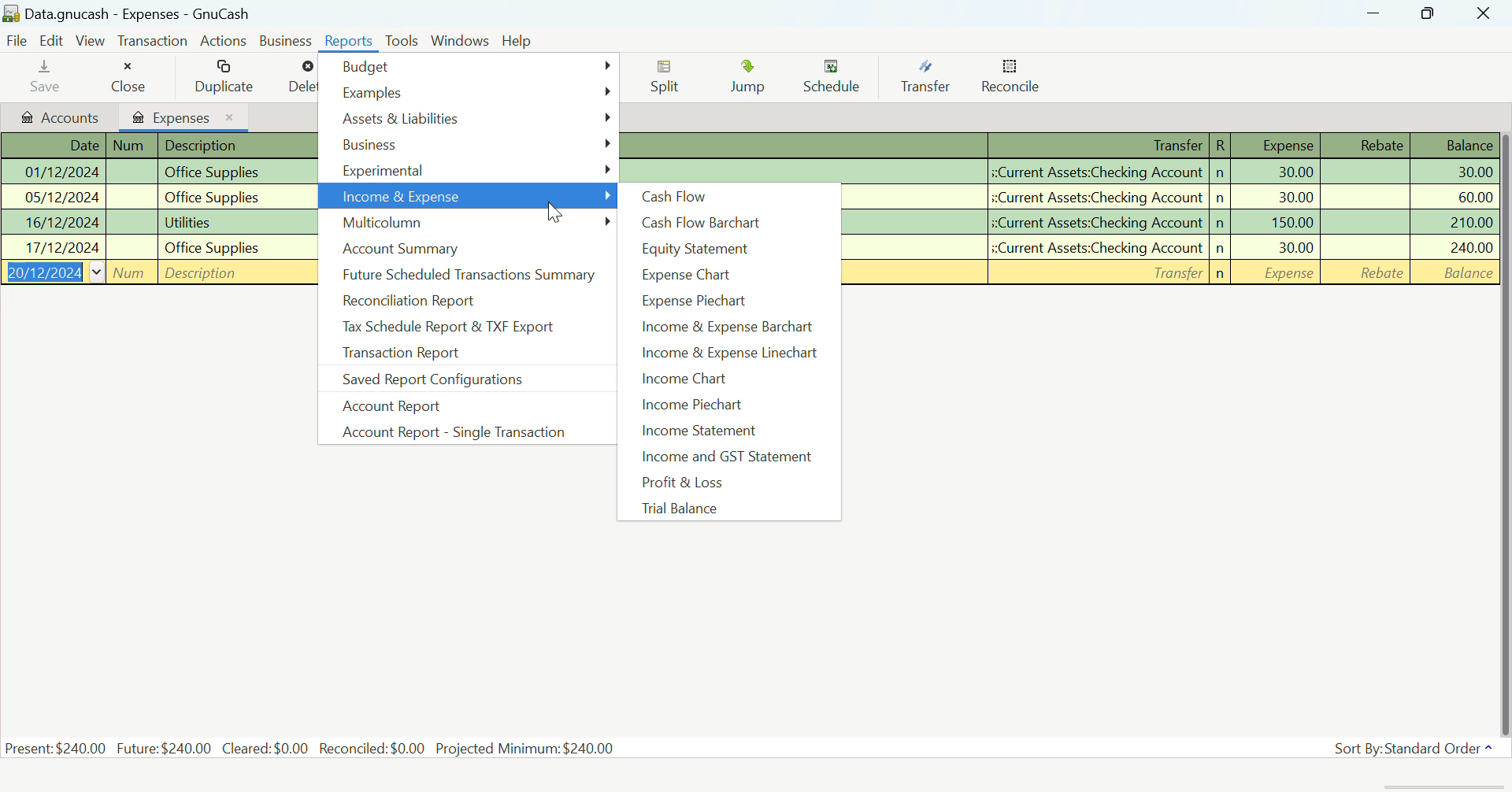  Describe the element at coordinates (468, 272) in the screenshot. I see `Future Scheduled Transactions Summary` at that location.